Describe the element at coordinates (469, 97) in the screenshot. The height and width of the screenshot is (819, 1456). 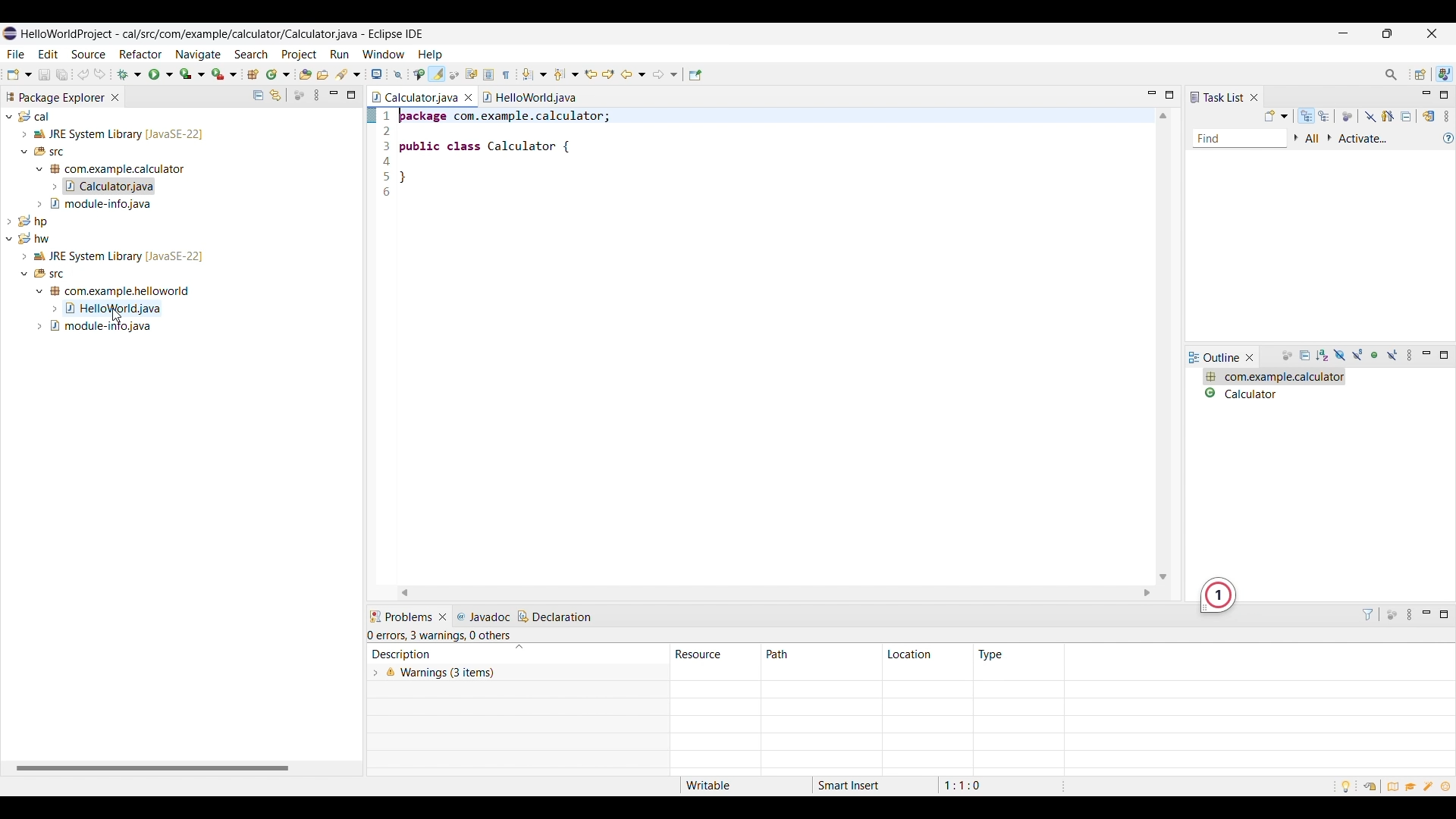
I see `Close tab 1` at that location.